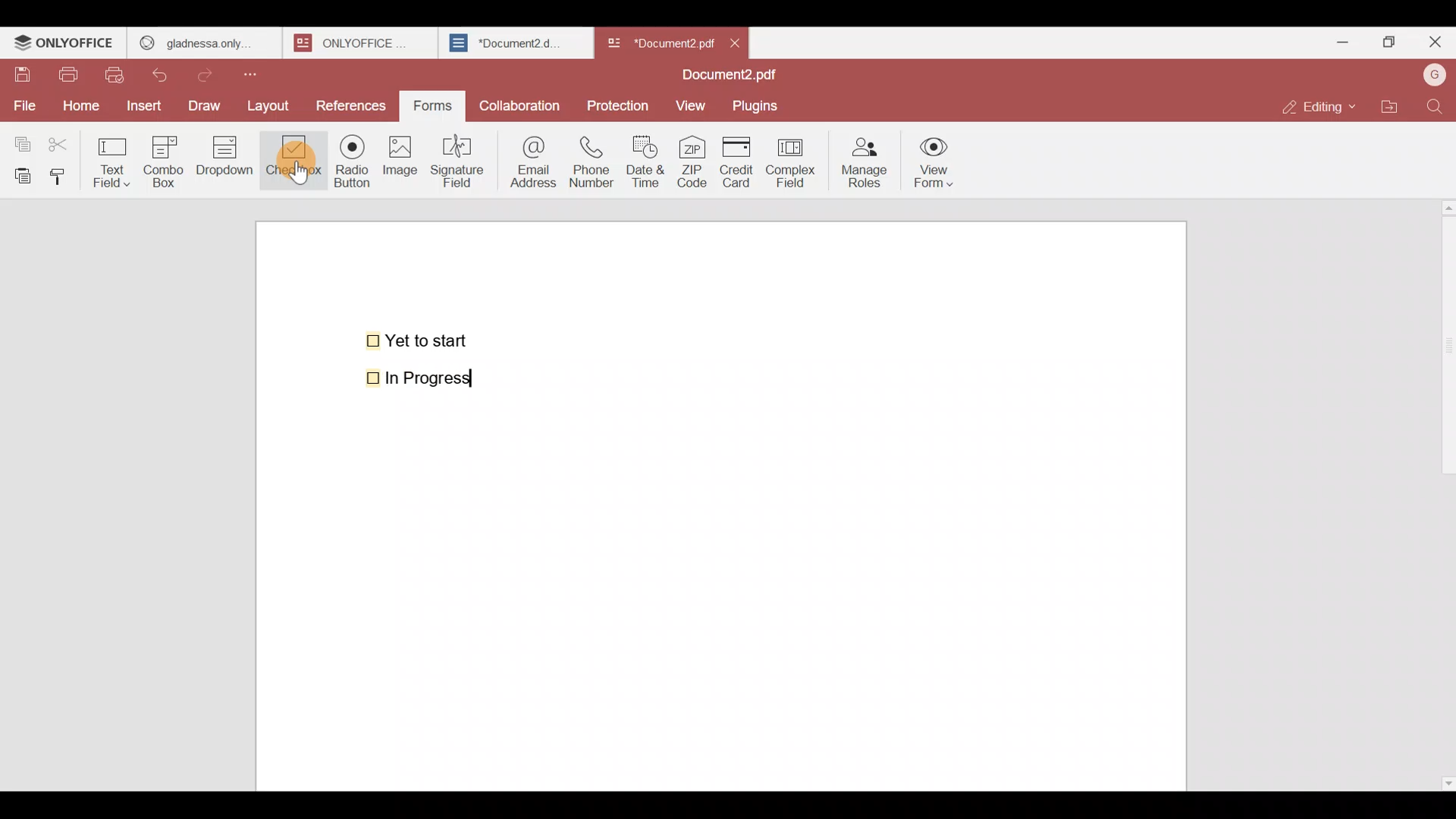 This screenshot has width=1456, height=819. I want to click on Find, so click(1435, 106).